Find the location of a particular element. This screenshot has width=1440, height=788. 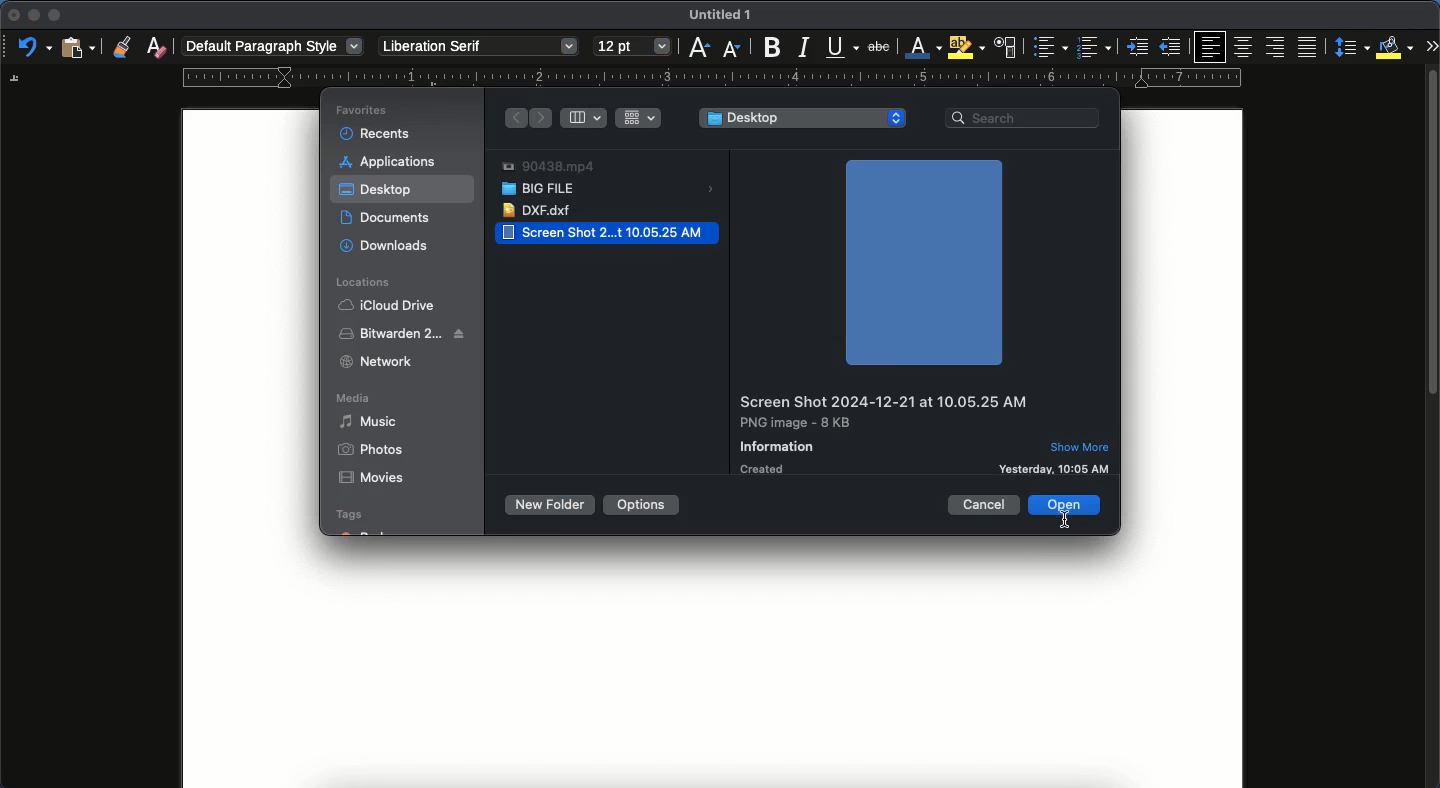

video is located at coordinates (548, 167).